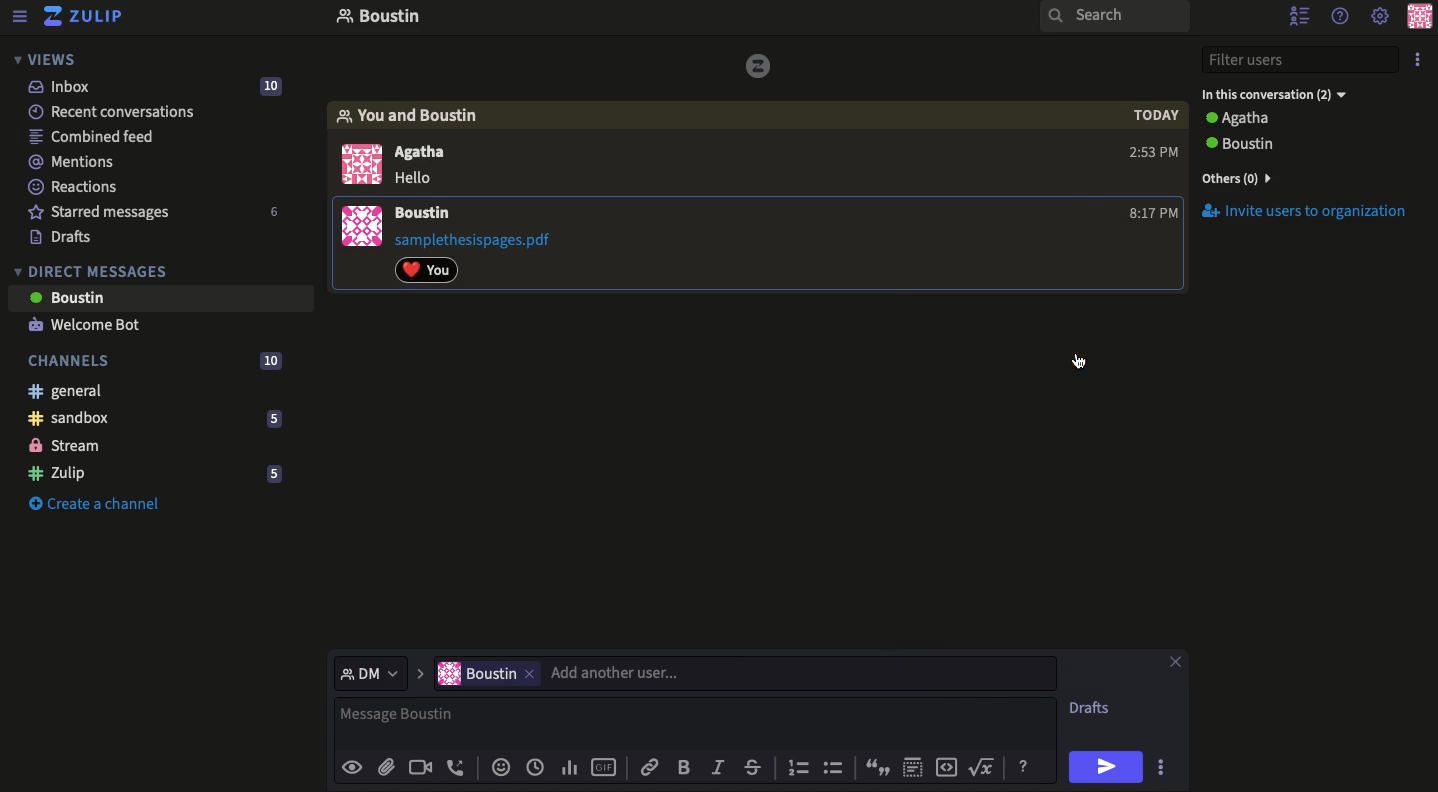  Describe the element at coordinates (169, 86) in the screenshot. I see `Inbox` at that location.